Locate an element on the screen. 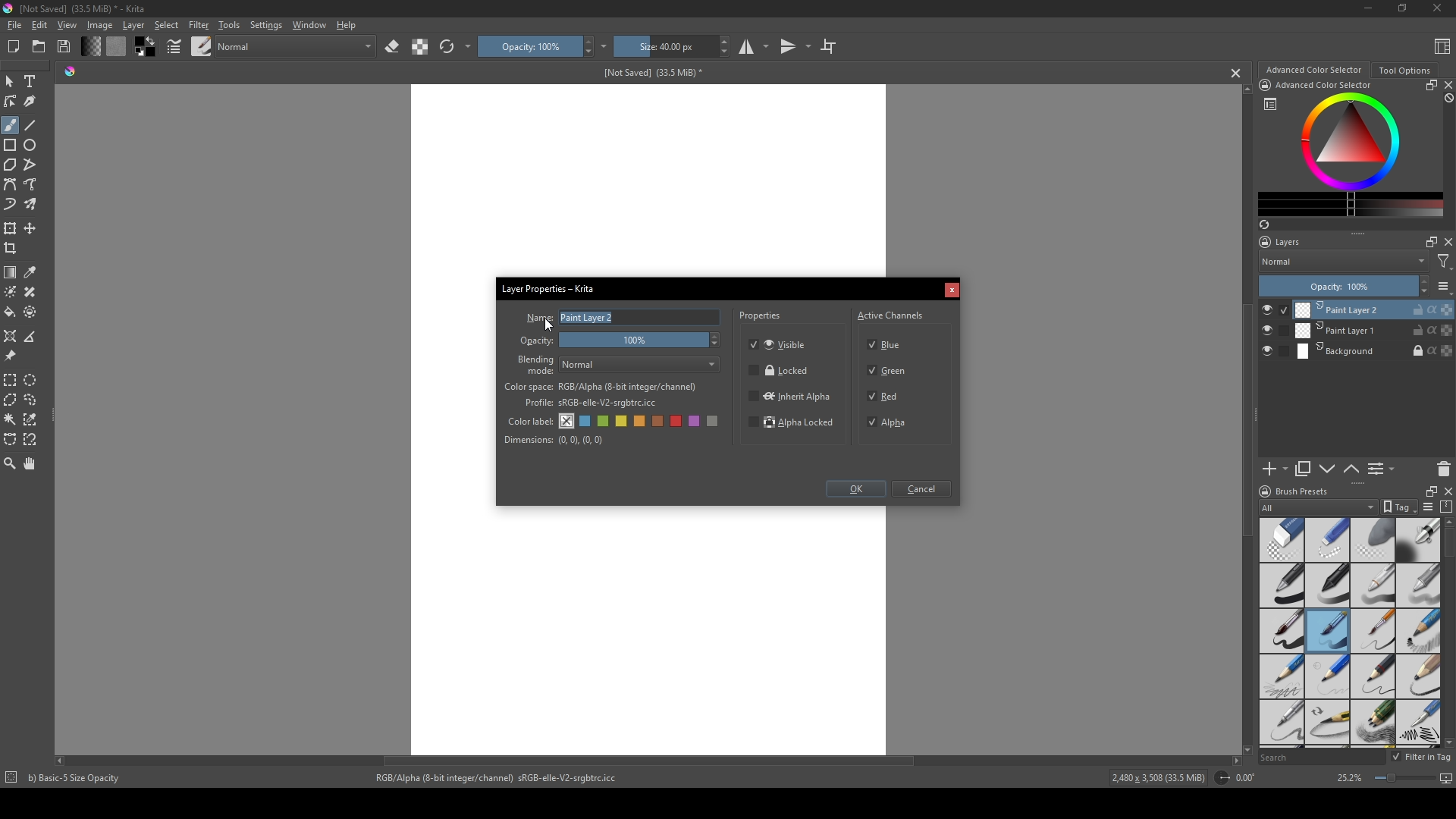 The height and width of the screenshot is (819, 1456). List is located at coordinates (1384, 469).